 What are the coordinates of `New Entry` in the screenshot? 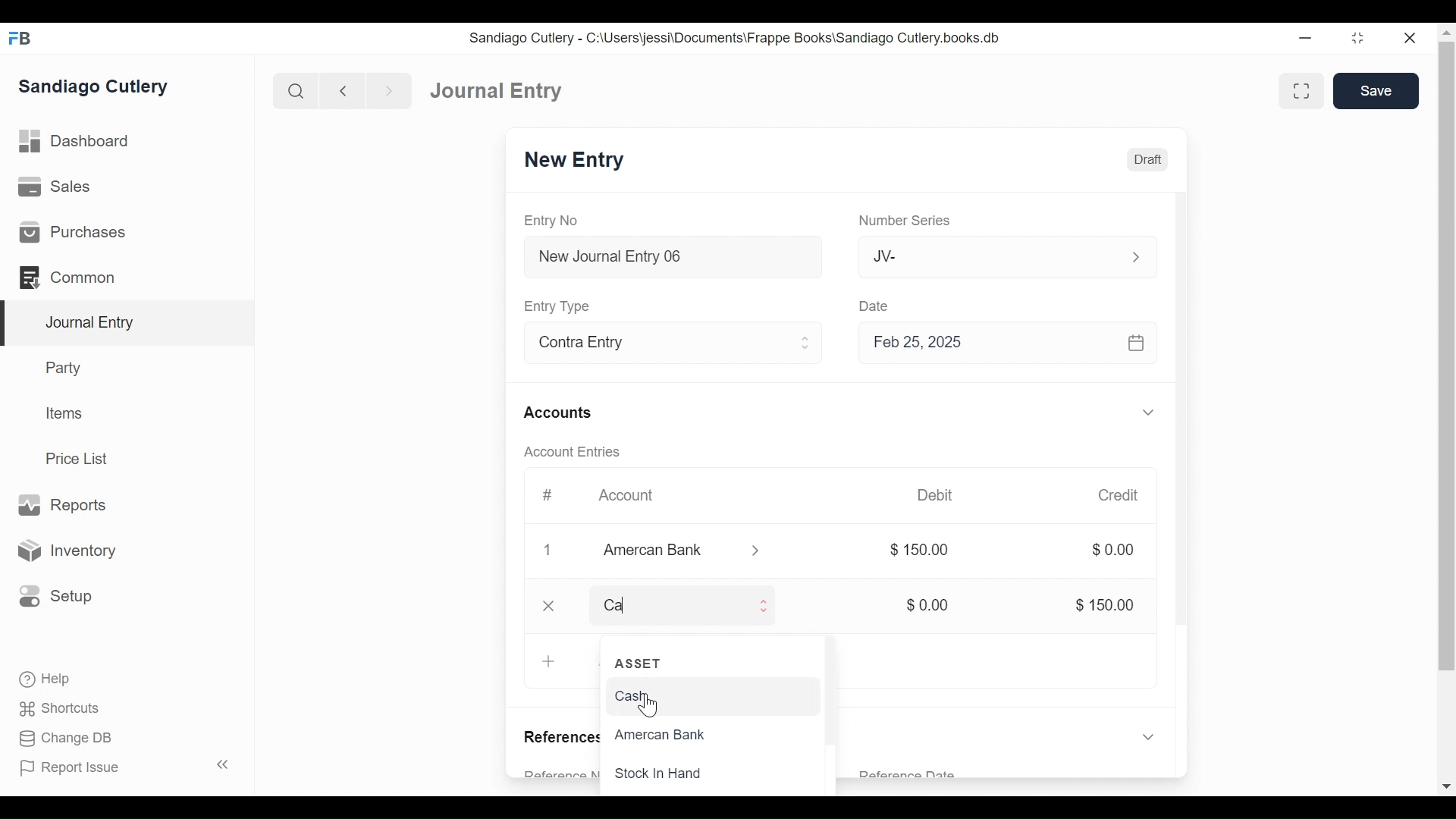 It's located at (573, 158).